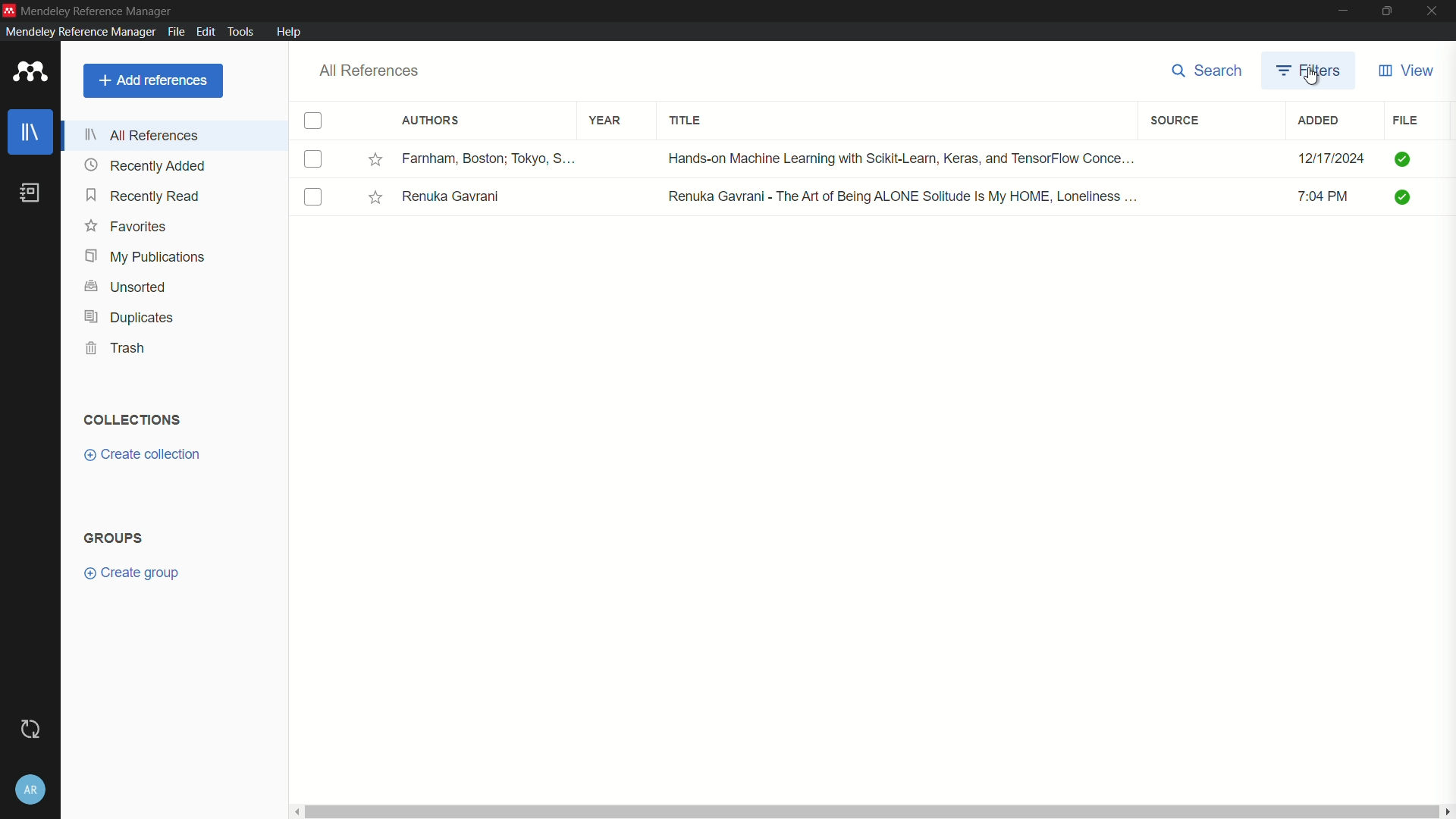 The height and width of the screenshot is (819, 1456). I want to click on Renuka Gavrani, so click(450, 197).